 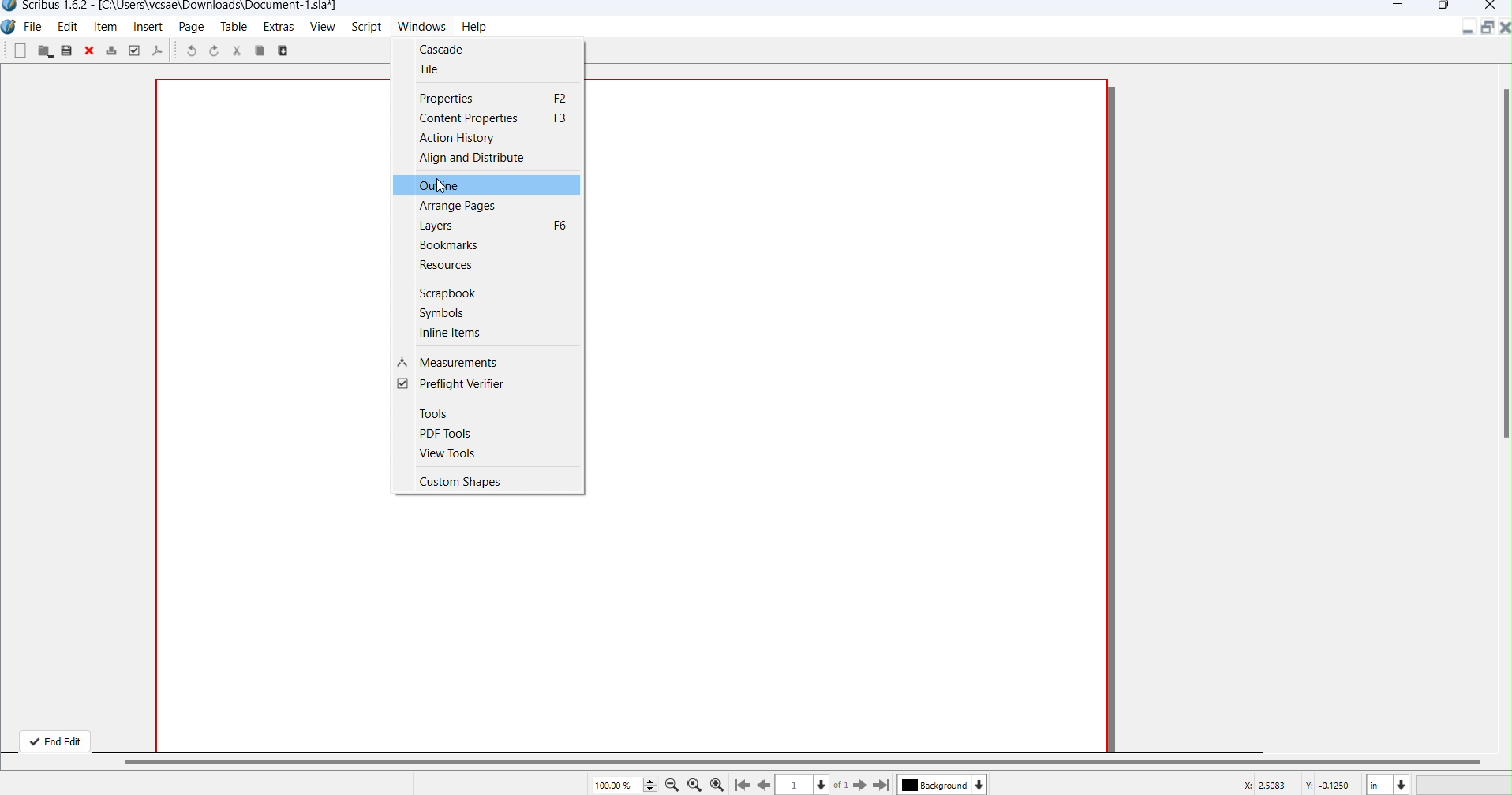 What do you see at coordinates (439, 312) in the screenshot?
I see `Symbols` at bounding box center [439, 312].